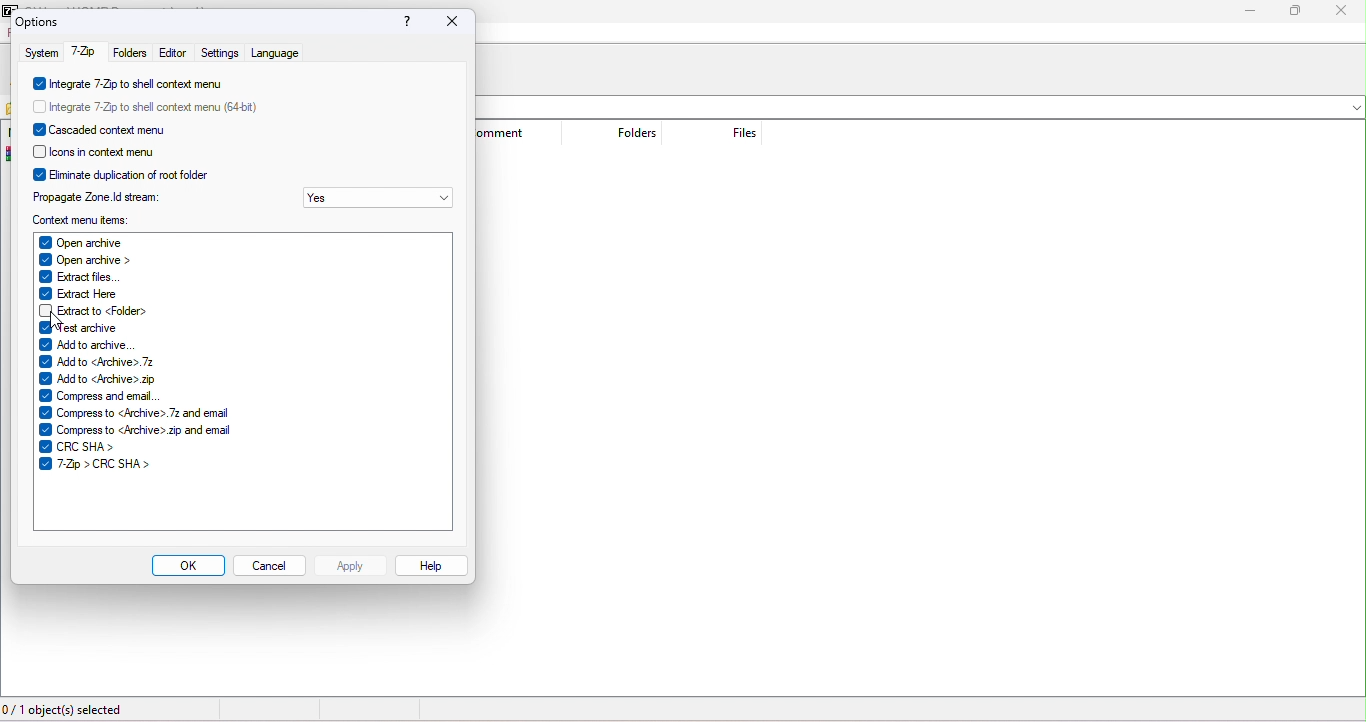  I want to click on propagate zone id stream:, so click(100, 194).